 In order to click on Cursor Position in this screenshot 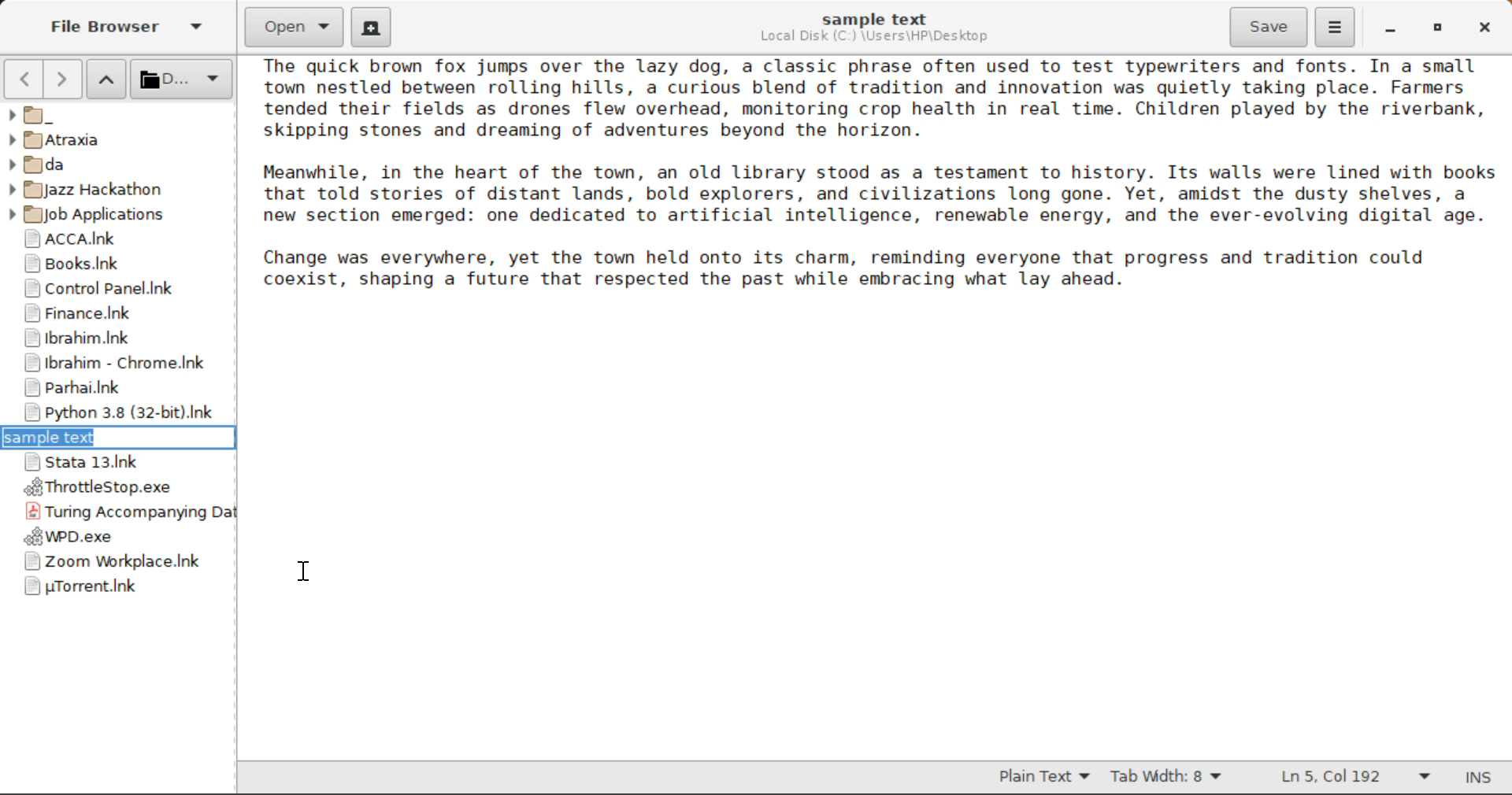, I will do `click(302, 571)`.